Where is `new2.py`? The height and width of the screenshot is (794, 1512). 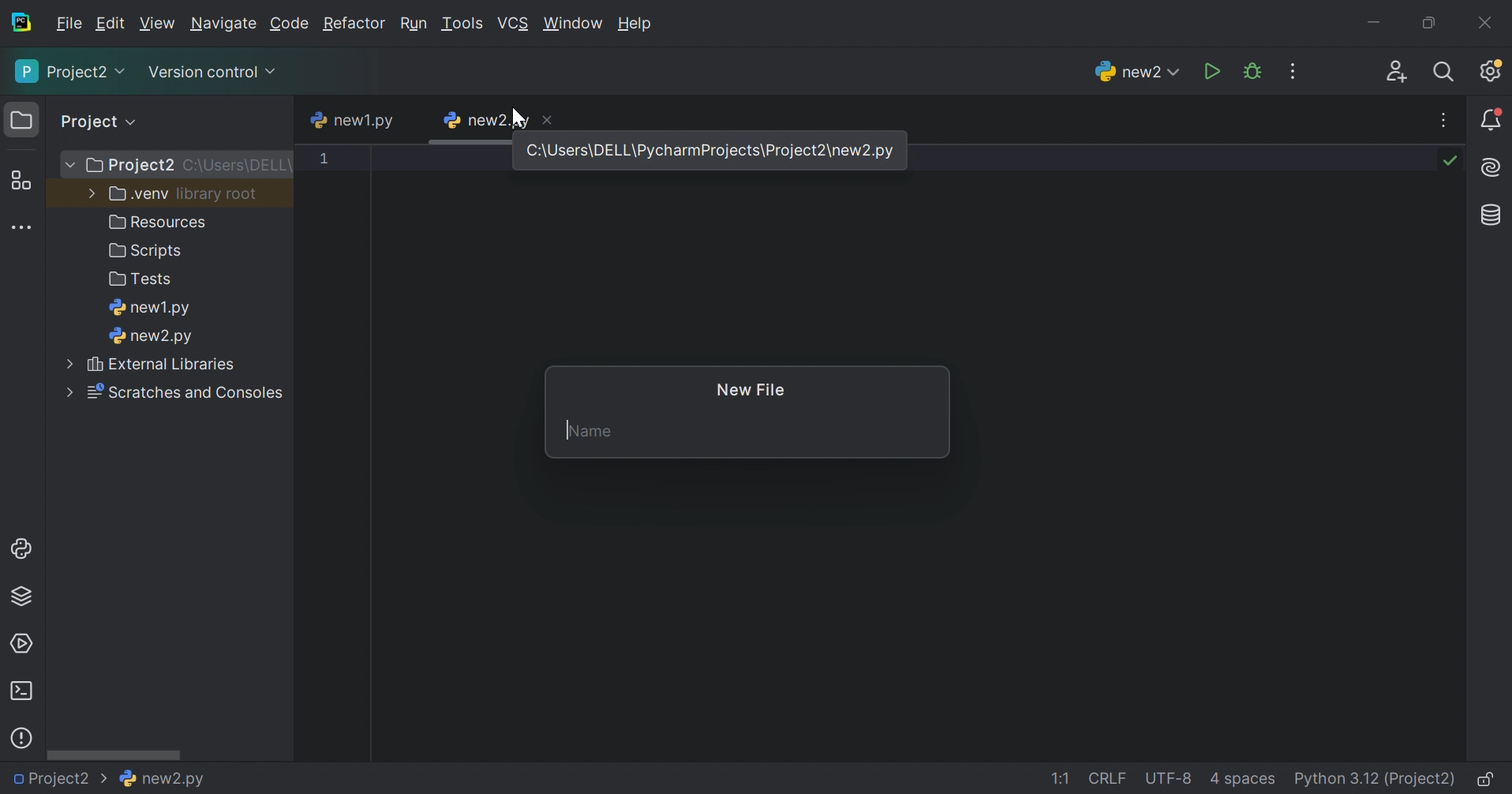
new2.py is located at coordinates (1133, 70).